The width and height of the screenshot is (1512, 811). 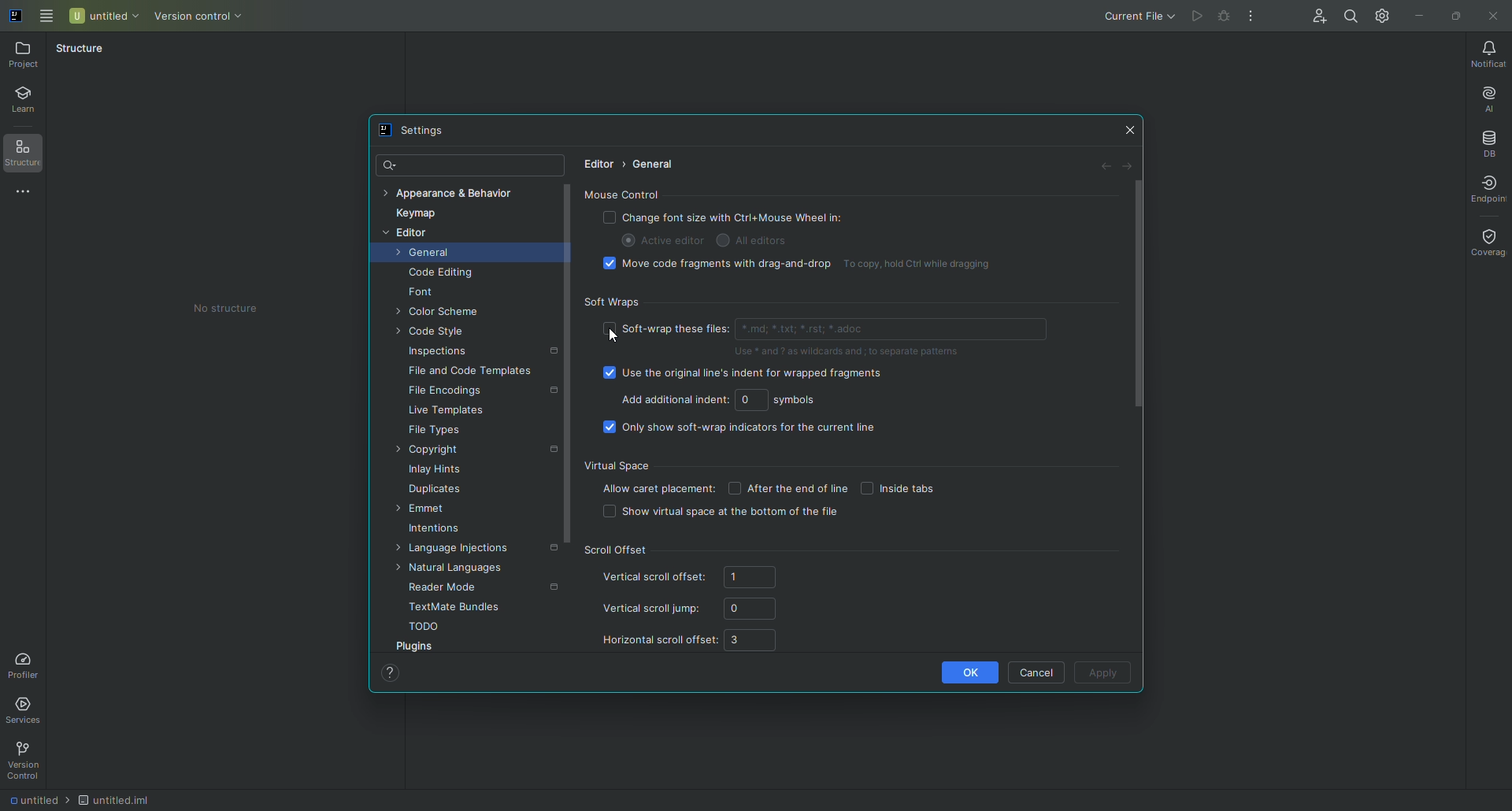 I want to click on Intentions, so click(x=438, y=531).